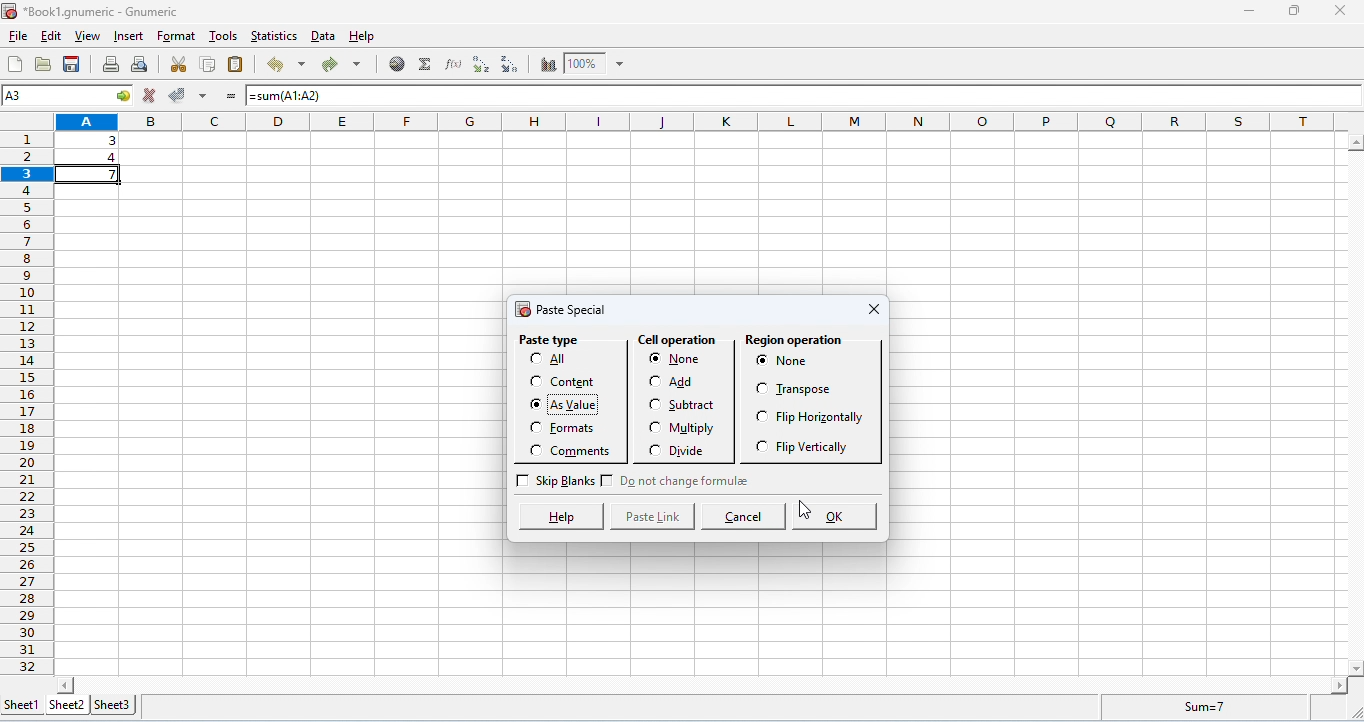  Describe the element at coordinates (806, 508) in the screenshot. I see `cursor movement` at that location.